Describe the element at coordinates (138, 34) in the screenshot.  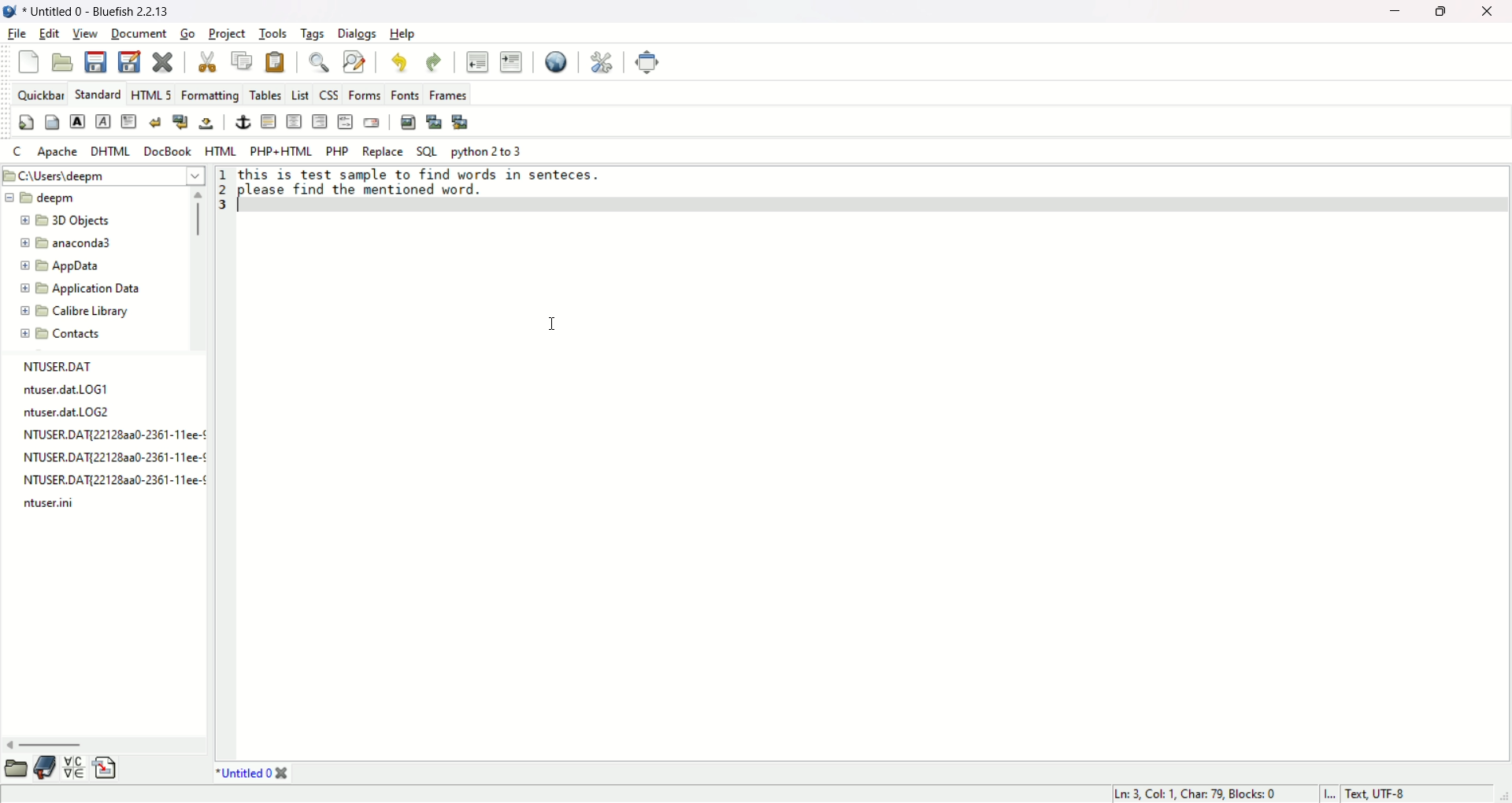
I see `document` at that location.